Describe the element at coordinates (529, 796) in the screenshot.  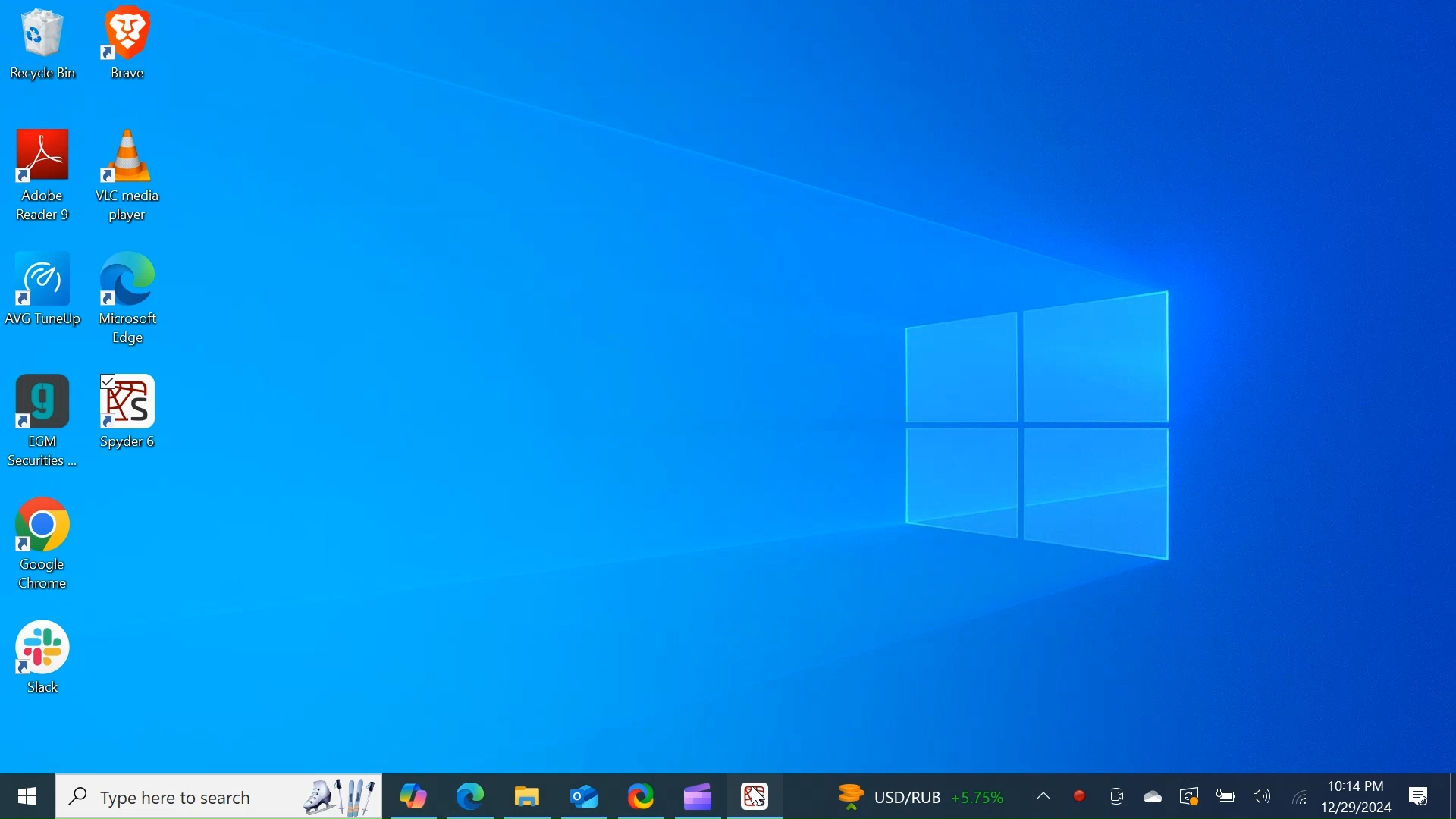
I see `File Explorer` at that location.